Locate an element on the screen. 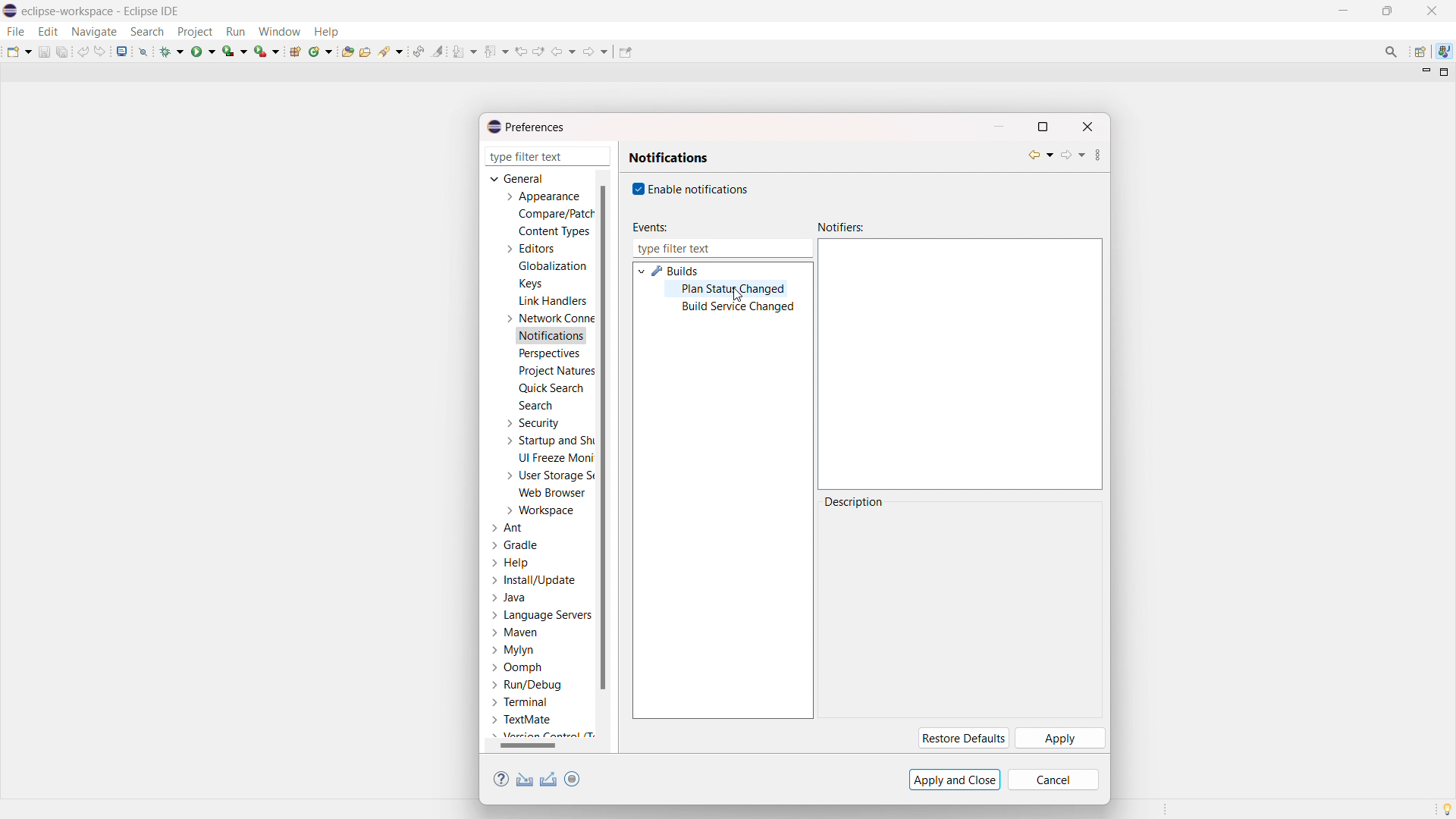 The image size is (1456, 819). back is located at coordinates (1040, 155).